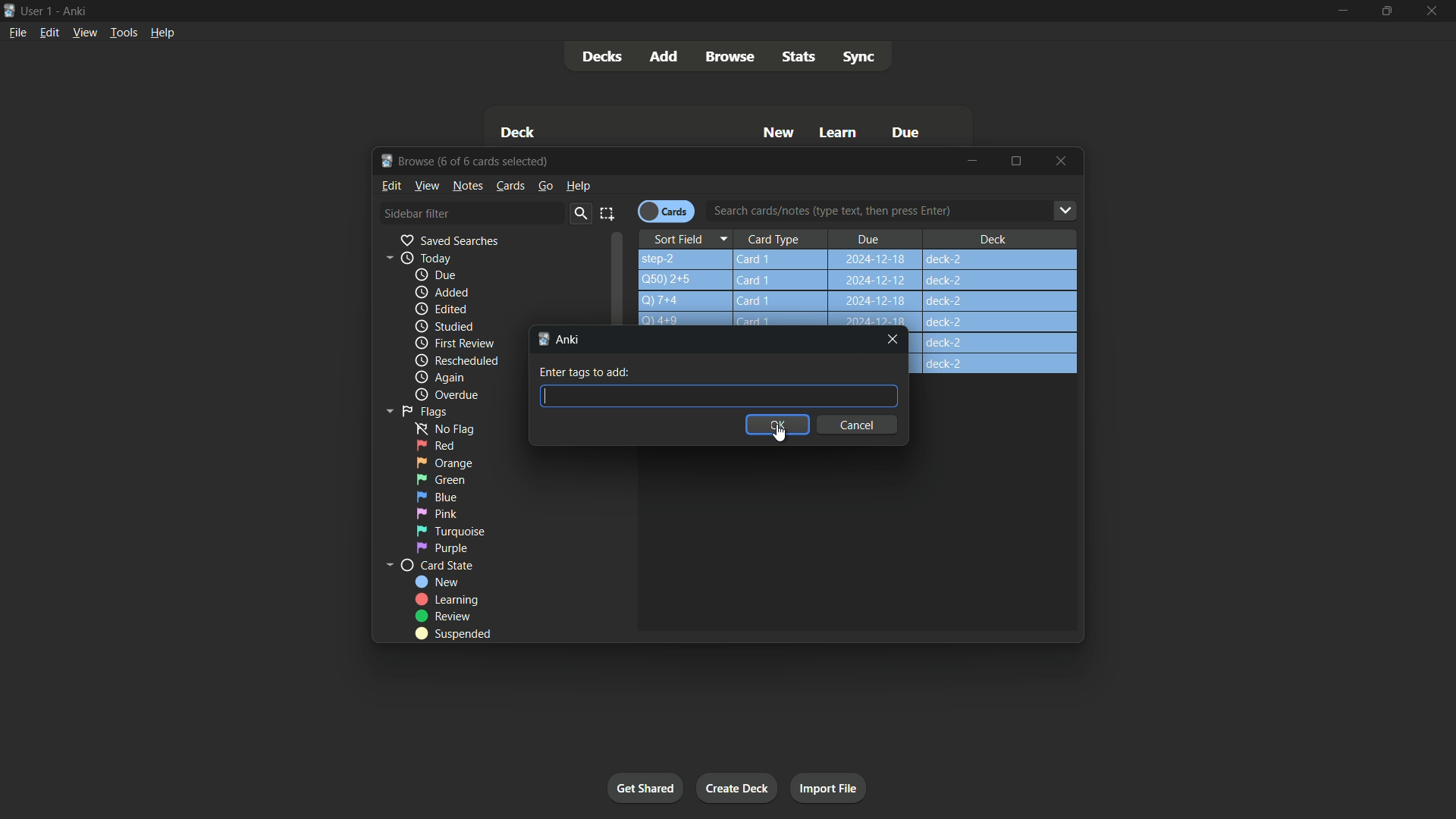 The height and width of the screenshot is (819, 1456). I want to click on Learning, so click(447, 600).